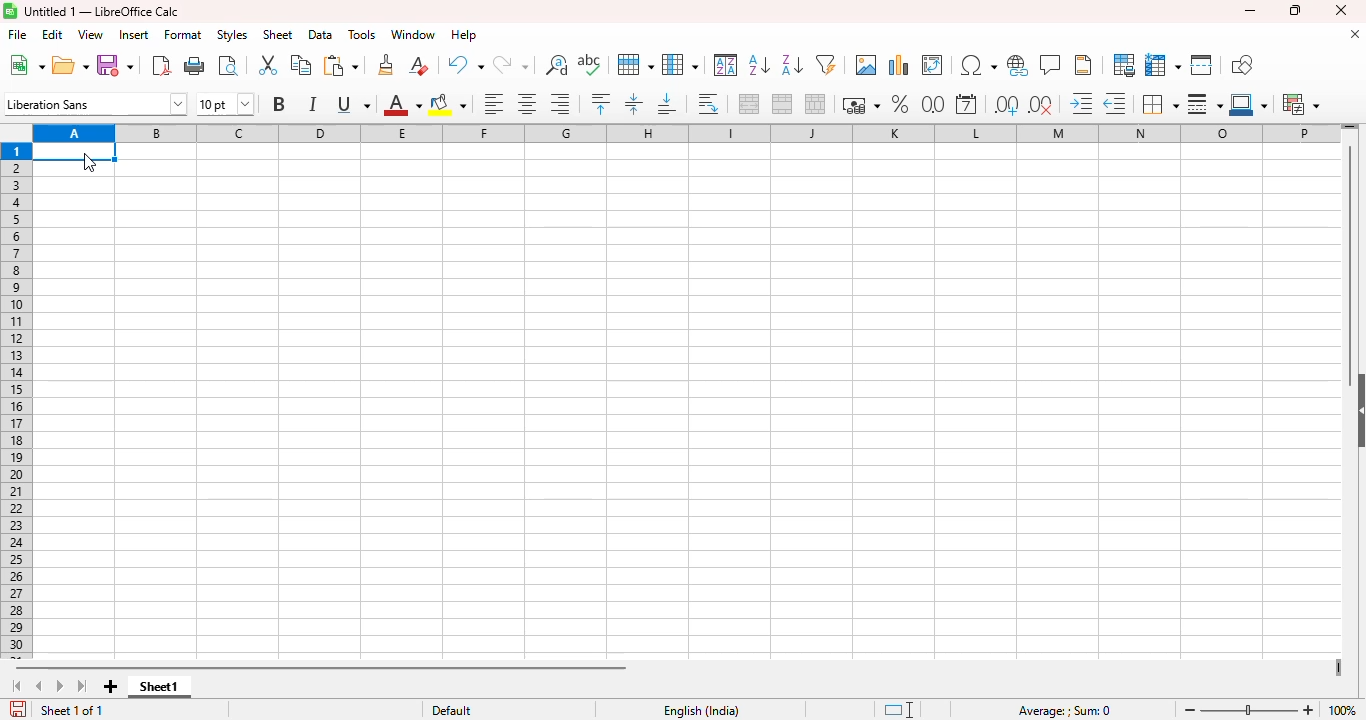  What do you see at coordinates (1115, 104) in the screenshot?
I see `decrease indent` at bounding box center [1115, 104].